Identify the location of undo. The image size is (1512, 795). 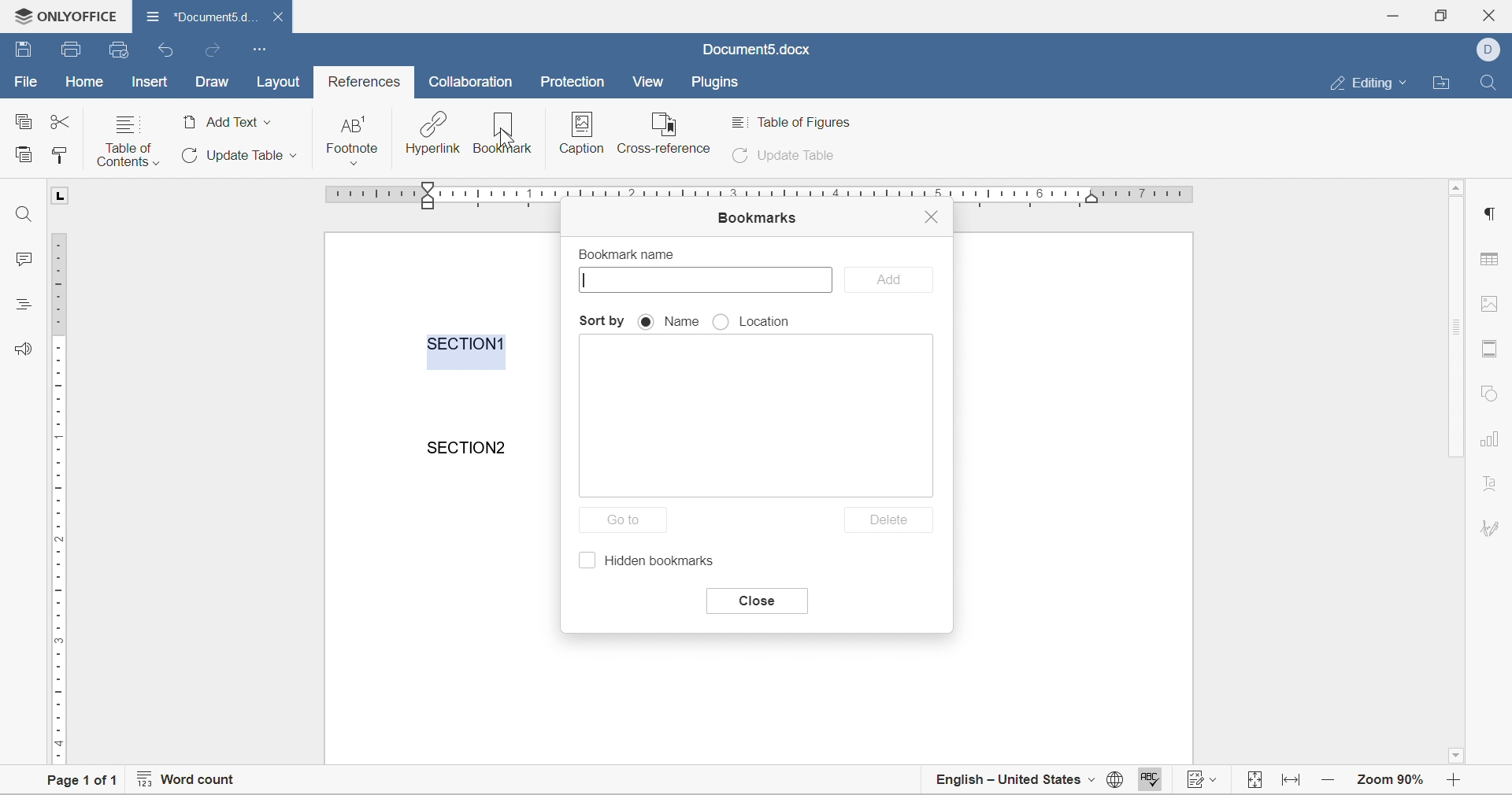
(168, 51).